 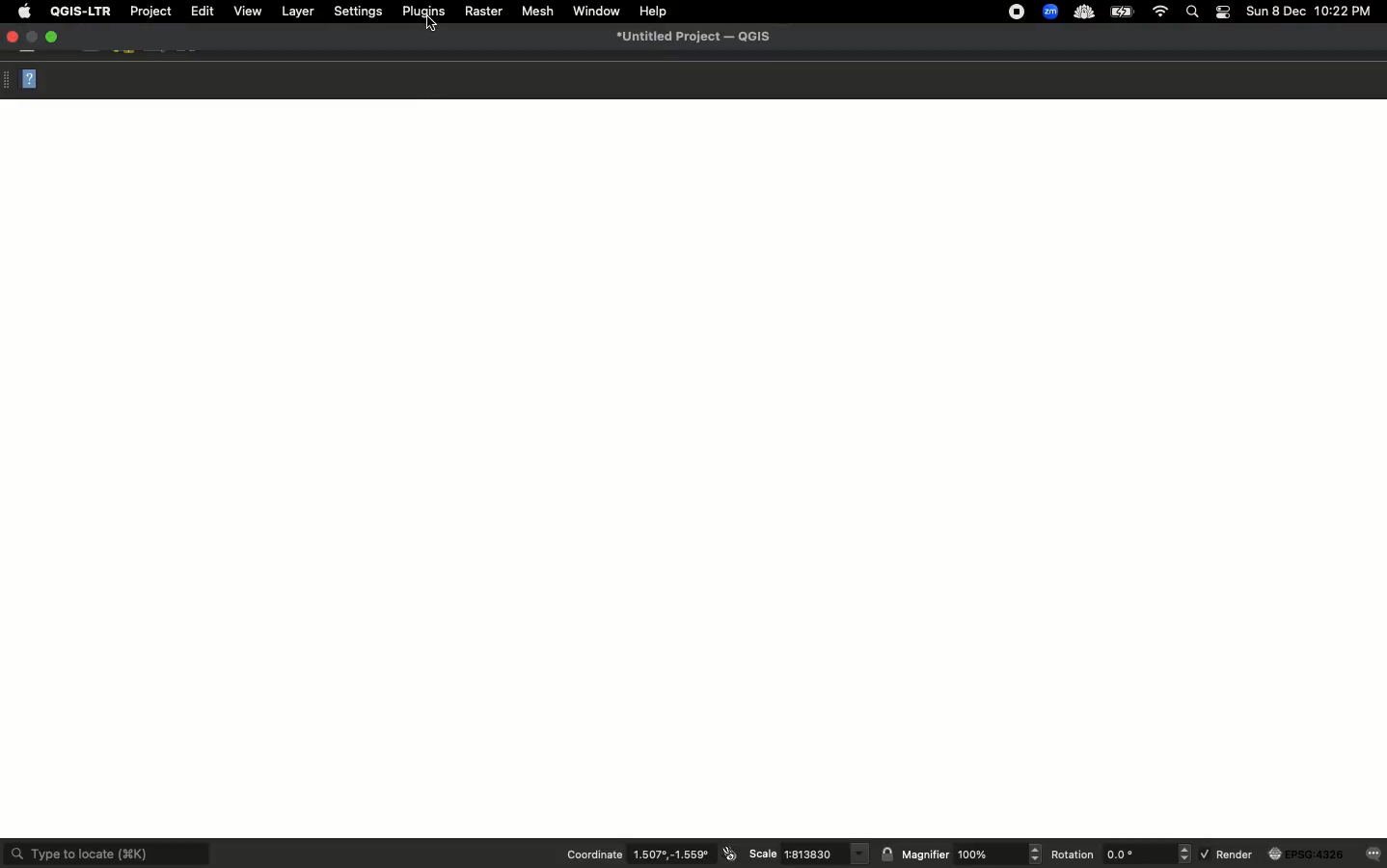 What do you see at coordinates (595, 10) in the screenshot?
I see `Window` at bounding box center [595, 10].